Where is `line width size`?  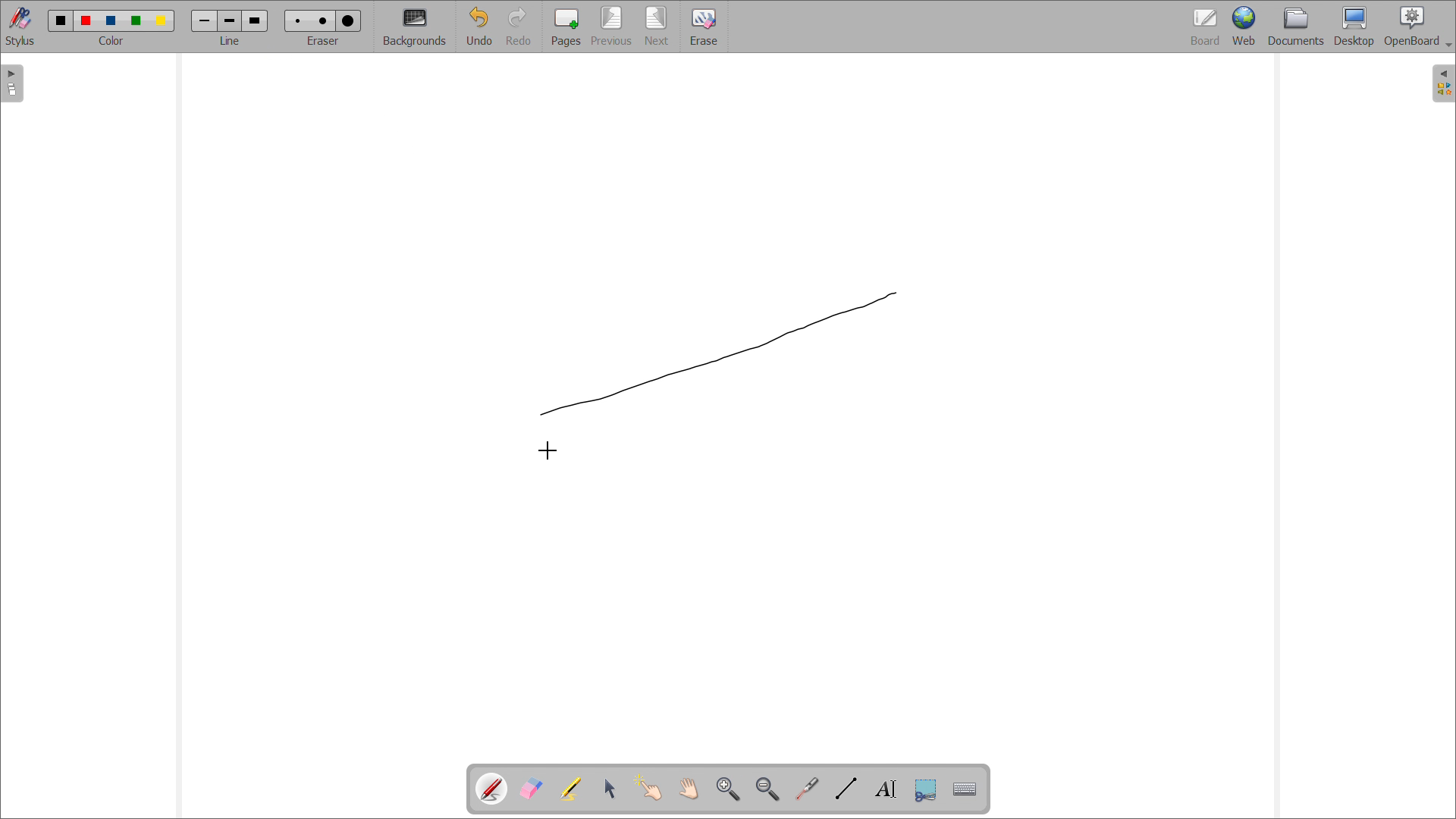
line width size is located at coordinates (231, 22).